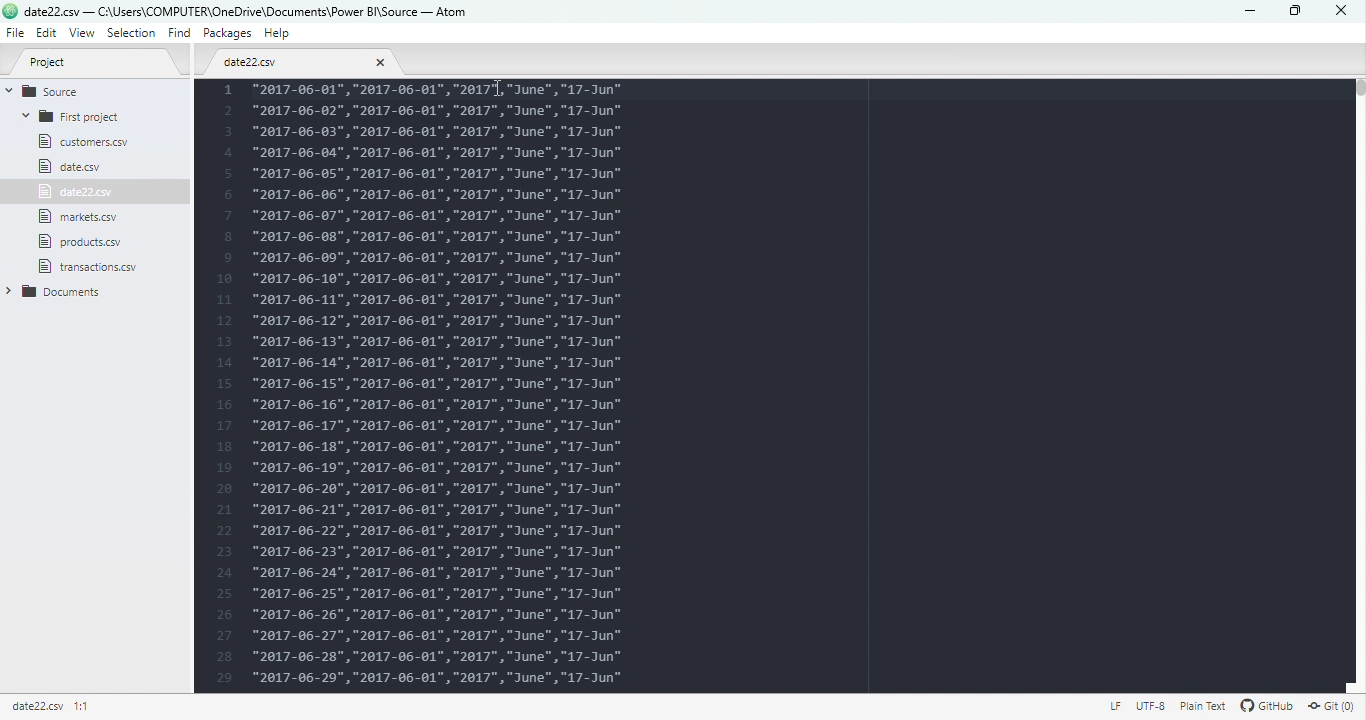 This screenshot has height=720, width=1366. I want to click on plain text , so click(1198, 705).